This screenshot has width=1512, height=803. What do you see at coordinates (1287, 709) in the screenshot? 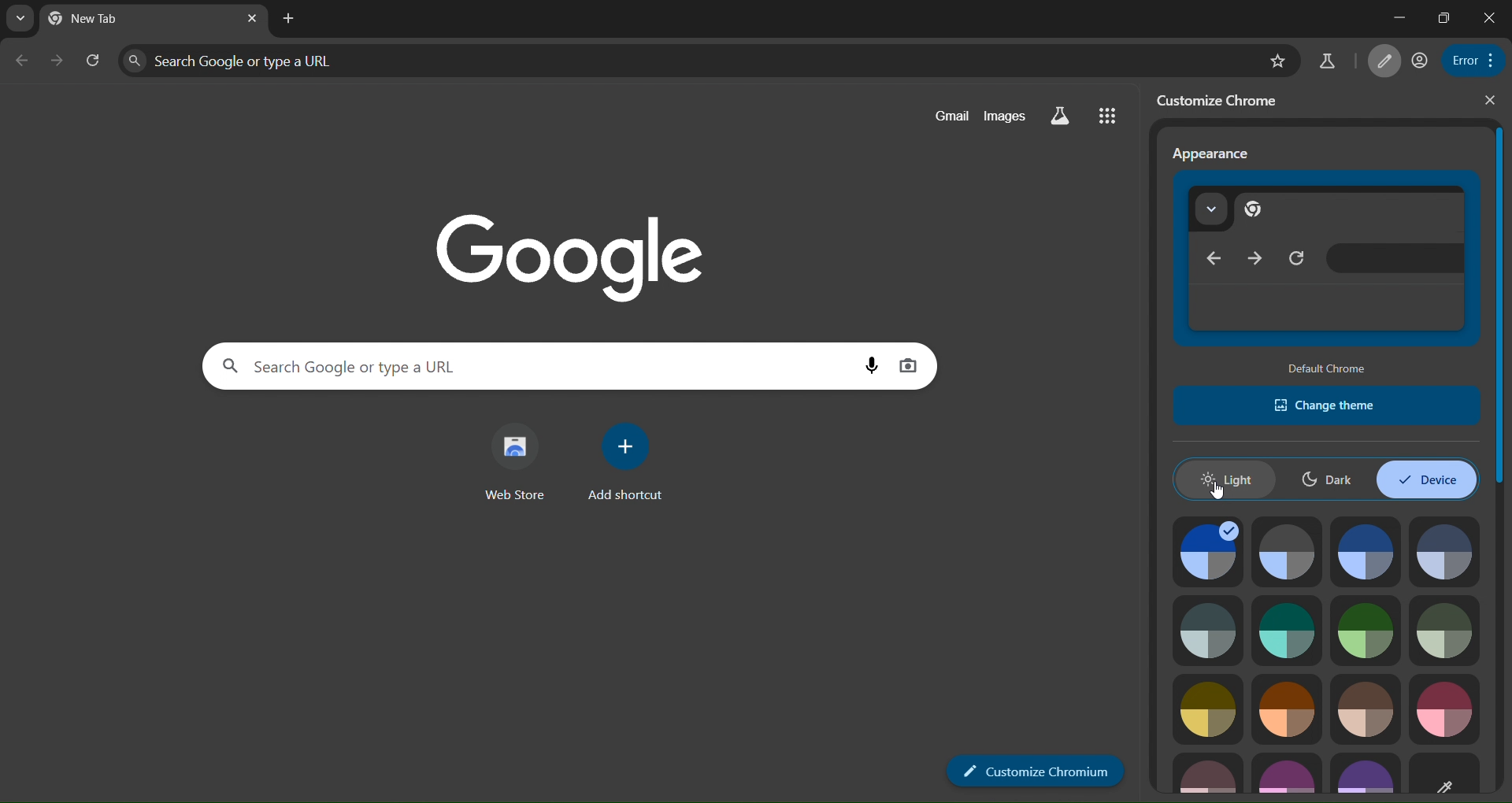
I see `image` at bounding box center [1287, 709].